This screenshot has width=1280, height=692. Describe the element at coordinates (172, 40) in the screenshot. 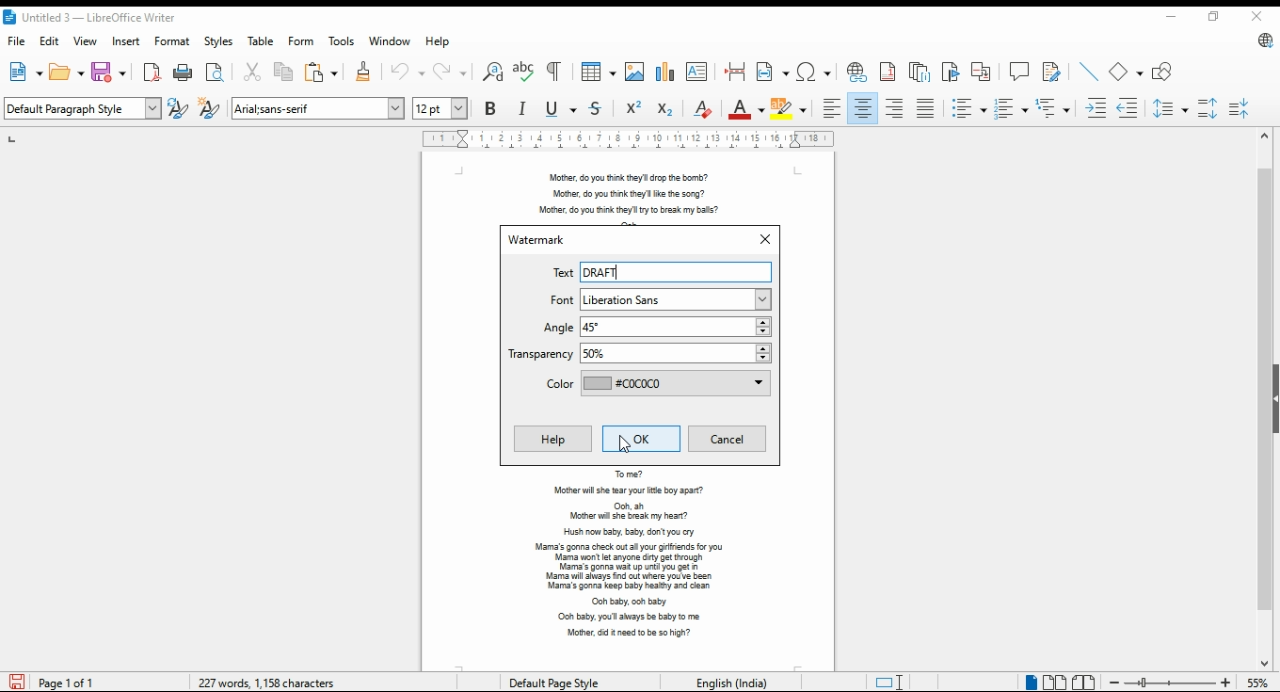

I see `format` at that location.